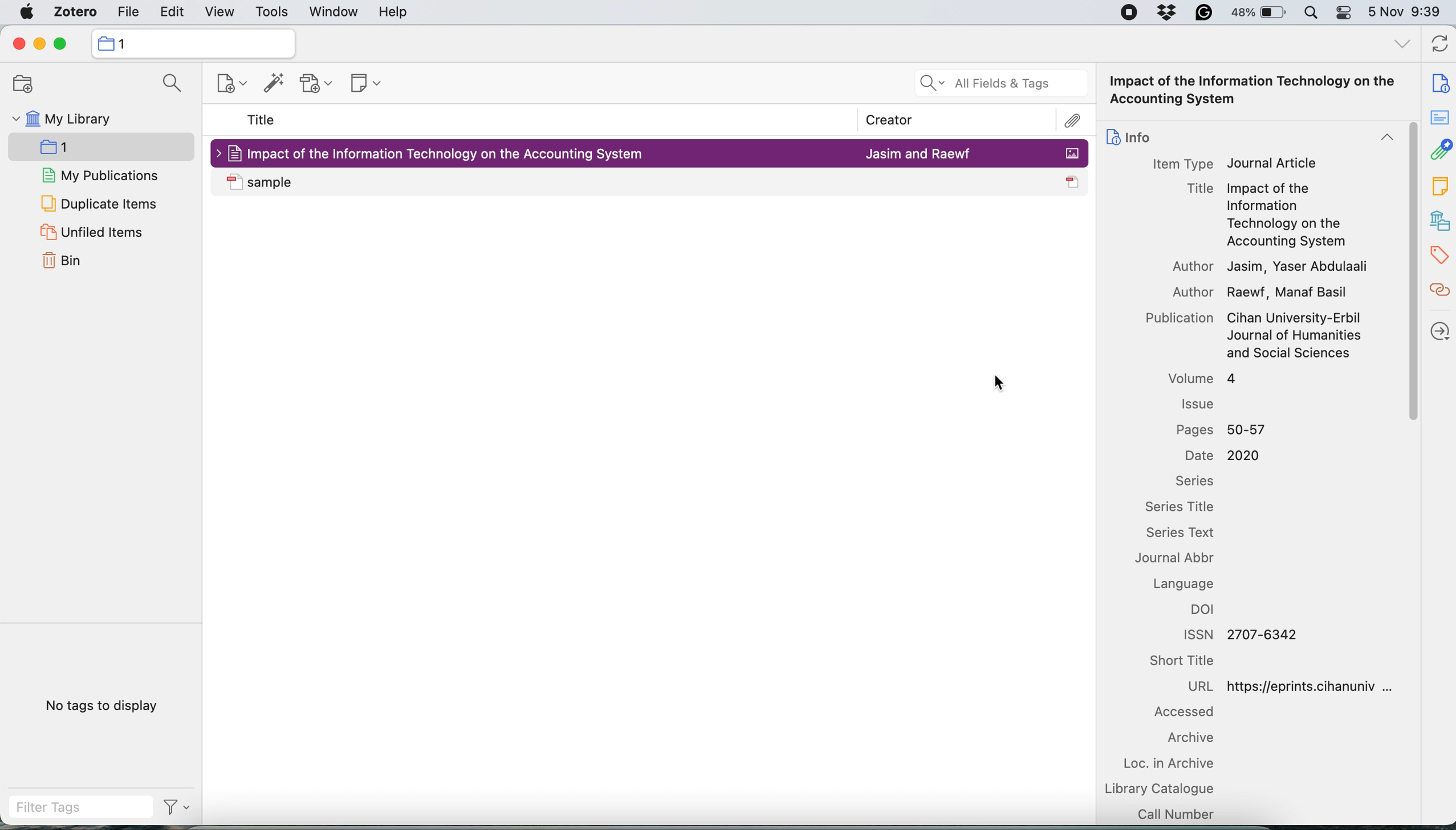 The width and height of the screenshot is (1456, 830). I want to click on URL https://eprints.cihanuniv ..., so click(1292, 686).